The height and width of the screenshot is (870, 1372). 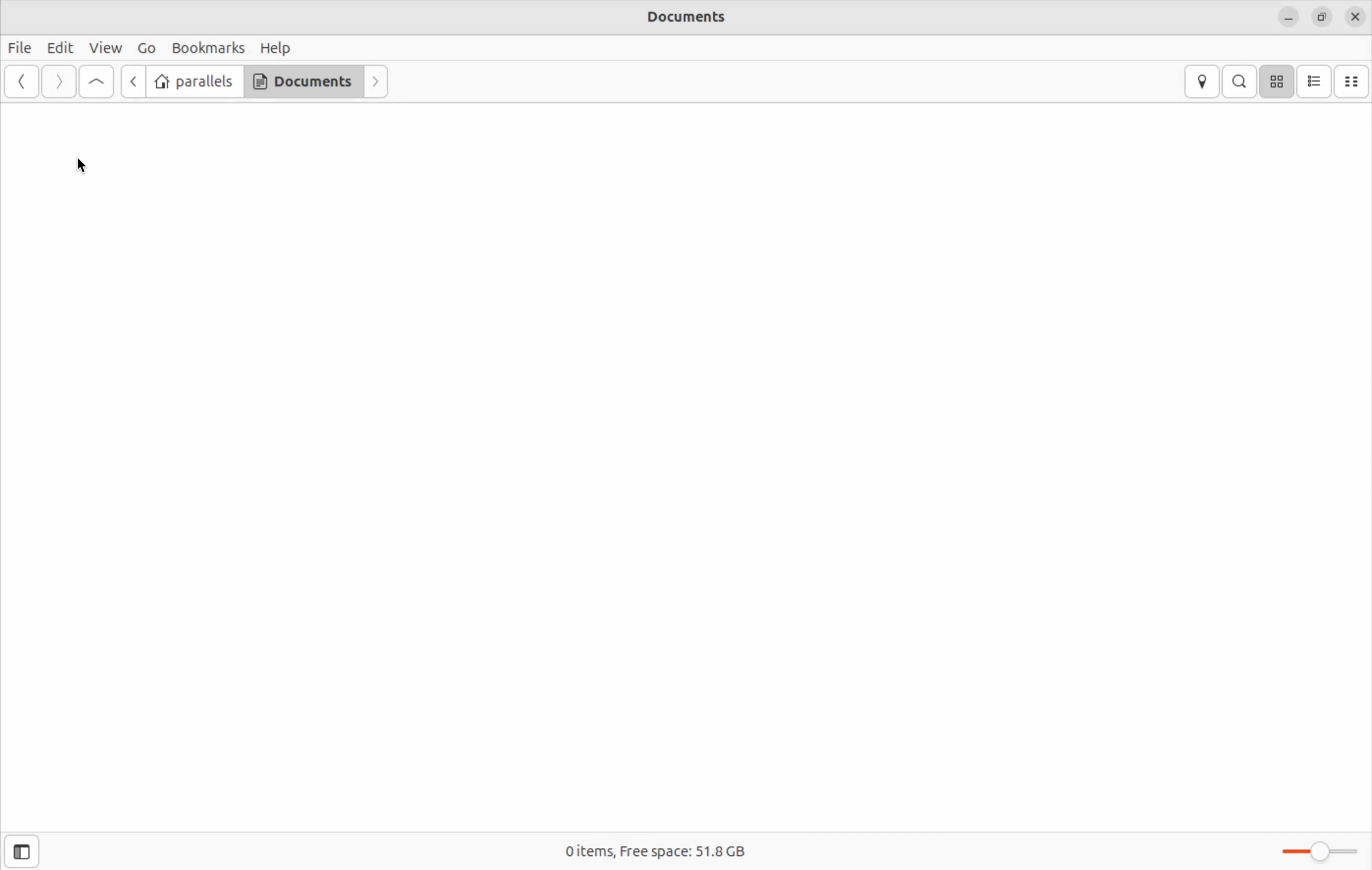 What do you see at coordinates (303, 83) in the screenshot?
I see `Documents` at bounding box center [303, 83].